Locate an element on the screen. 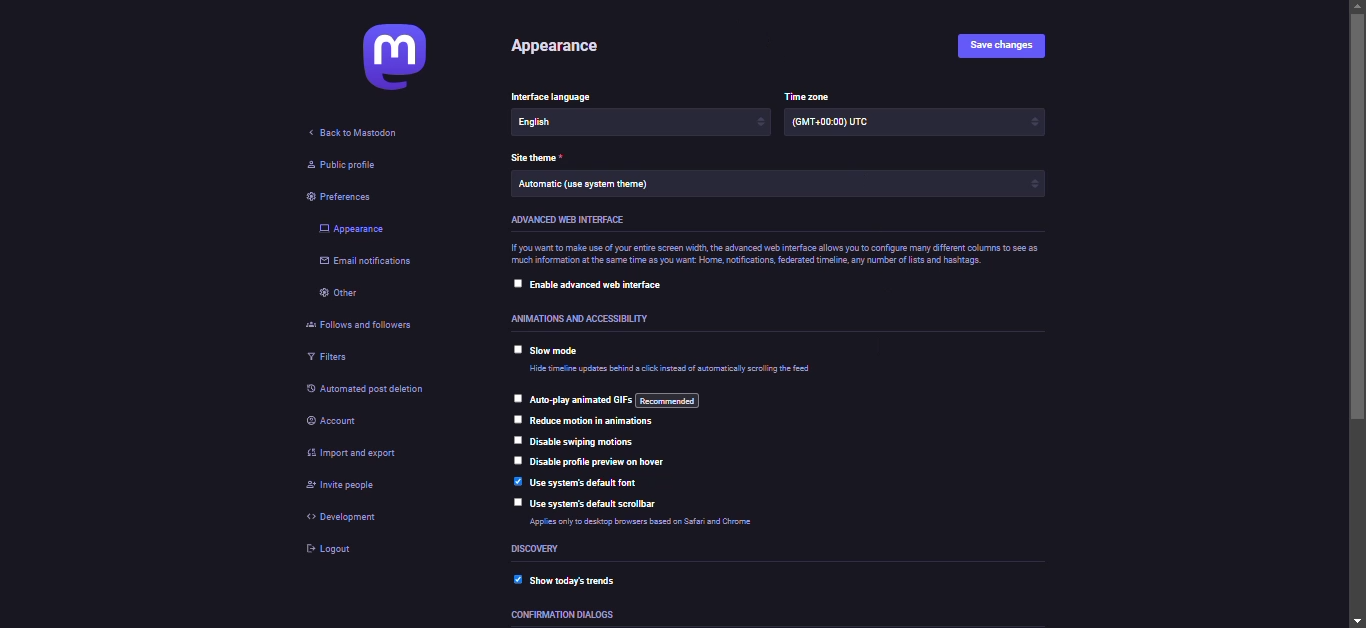 Image resolution: width=1366 pixels, height=628 pixels. enabled is located at coordinates (518, 481).